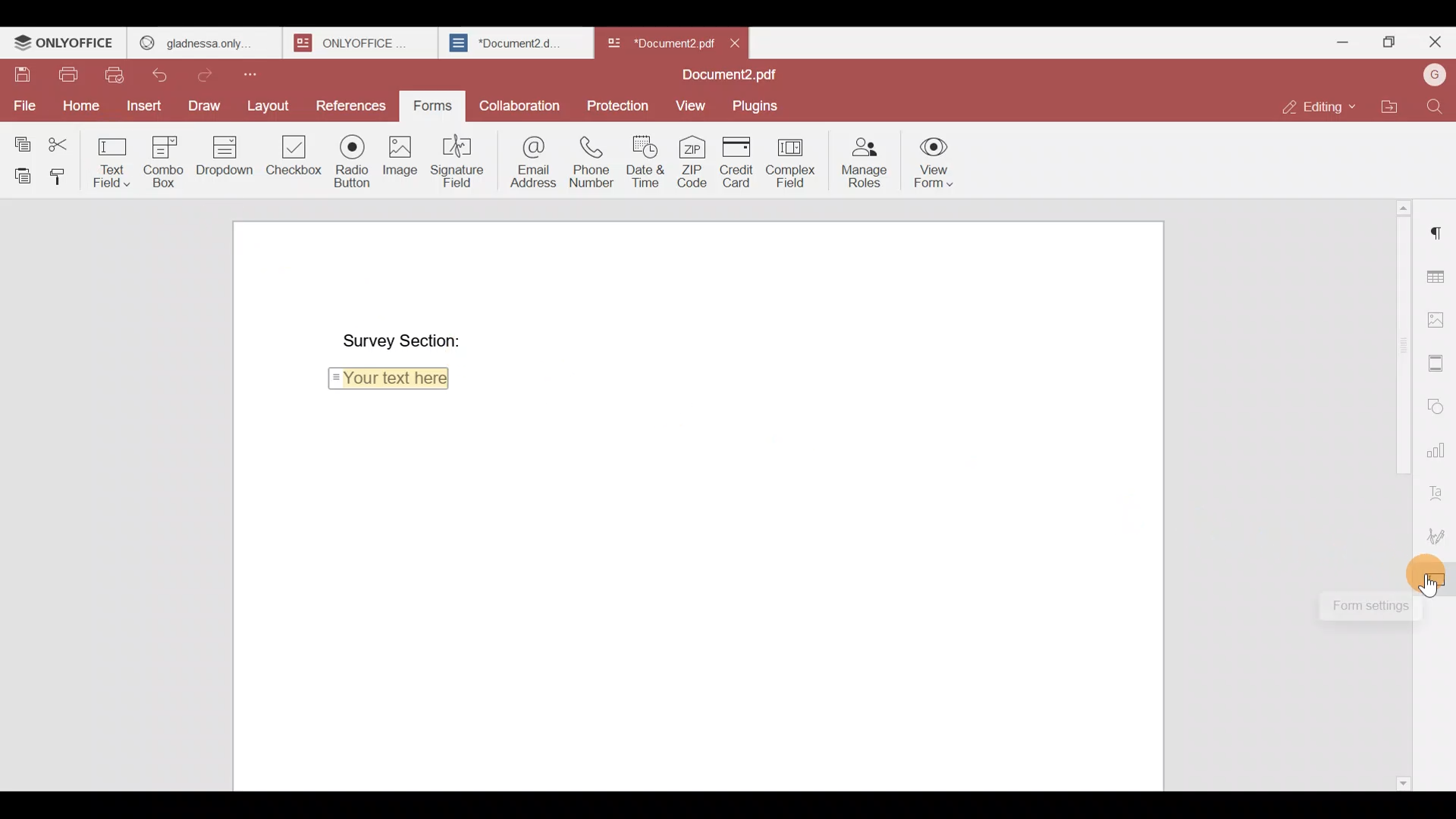 This screenshot has height=819, width=1456. I want to click on Cut, so click(64, 140).